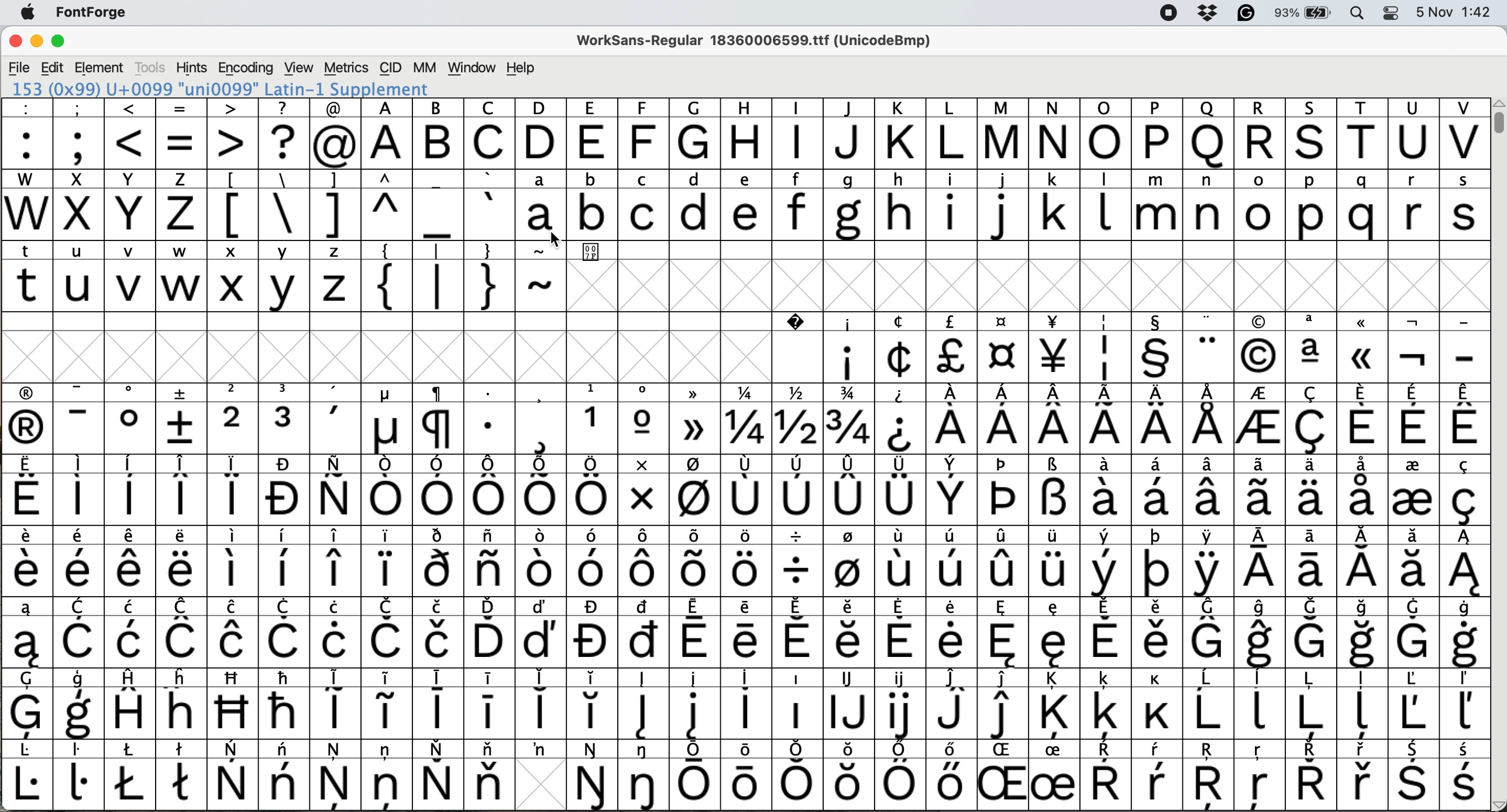  What do you see at coordinates (1312, 633) in the screenshot?
I see `symbol` at bounding box center [1312, 633].